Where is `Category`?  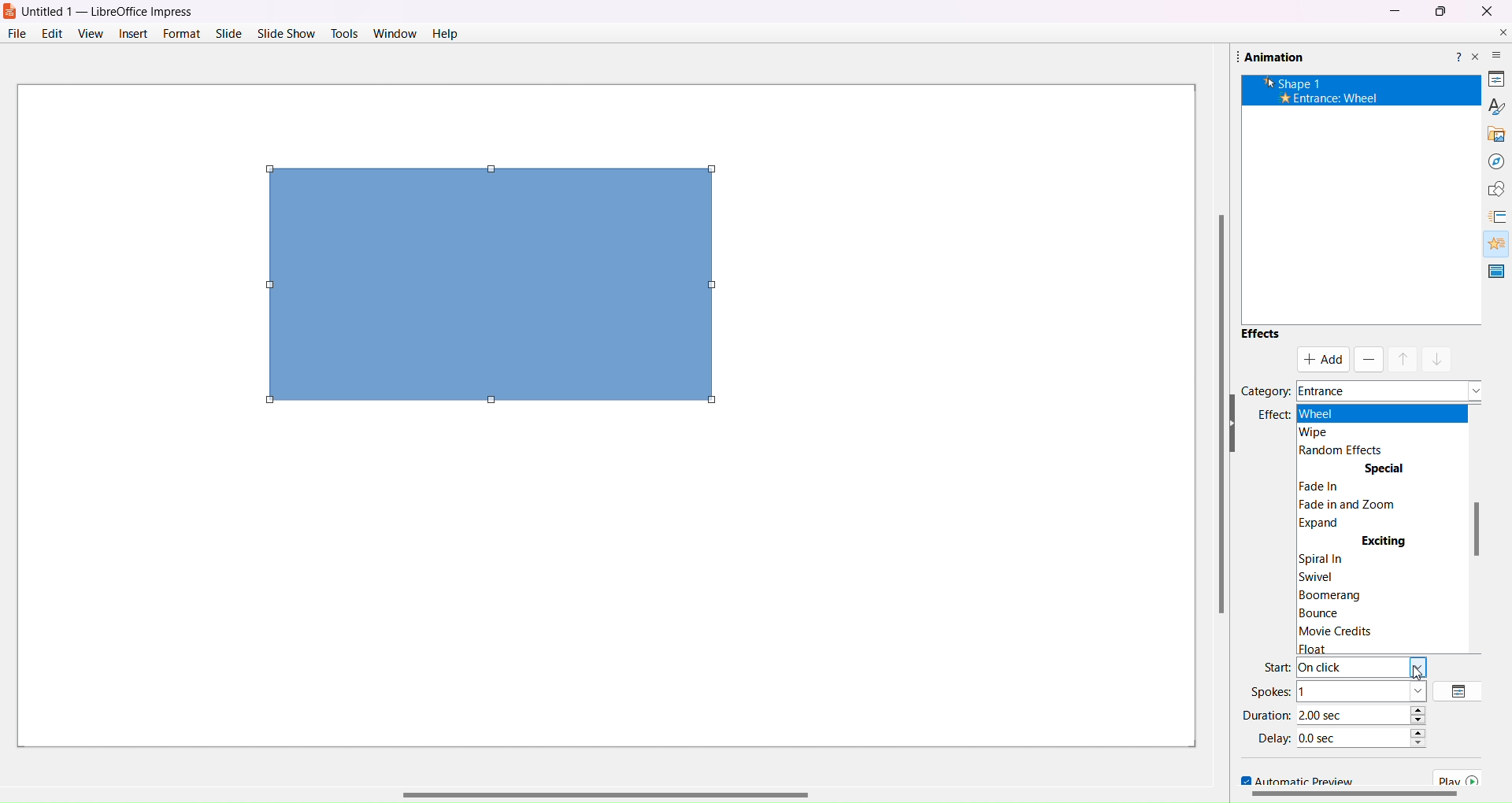 Category is located at coordinates (1266, 390).